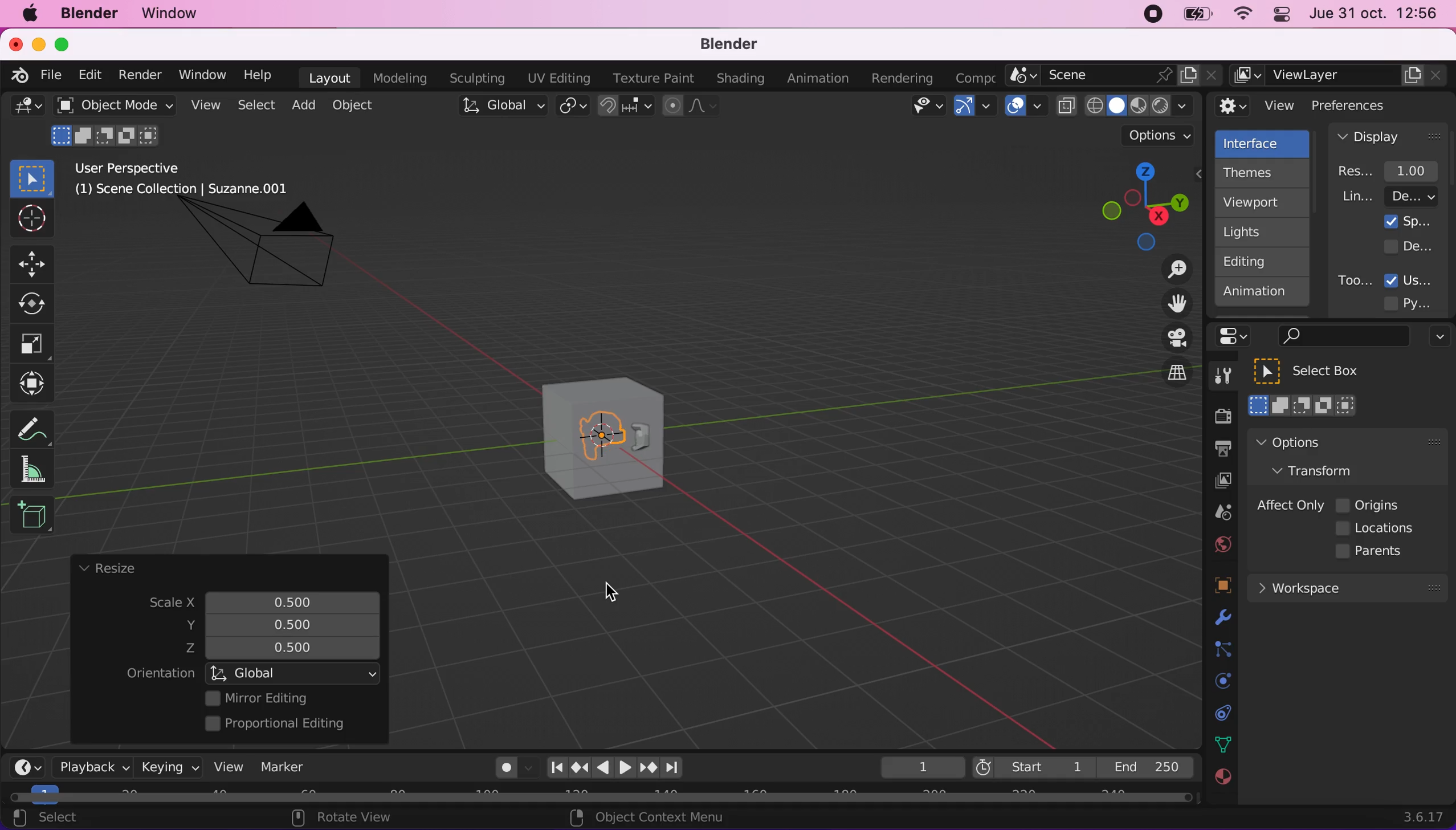 The height and width of the screenshot is (830, 1456). What do you see at coordinates (1418, 279) in the screenshot?
I see `user tooltips` at bounding box center [1418, 279].